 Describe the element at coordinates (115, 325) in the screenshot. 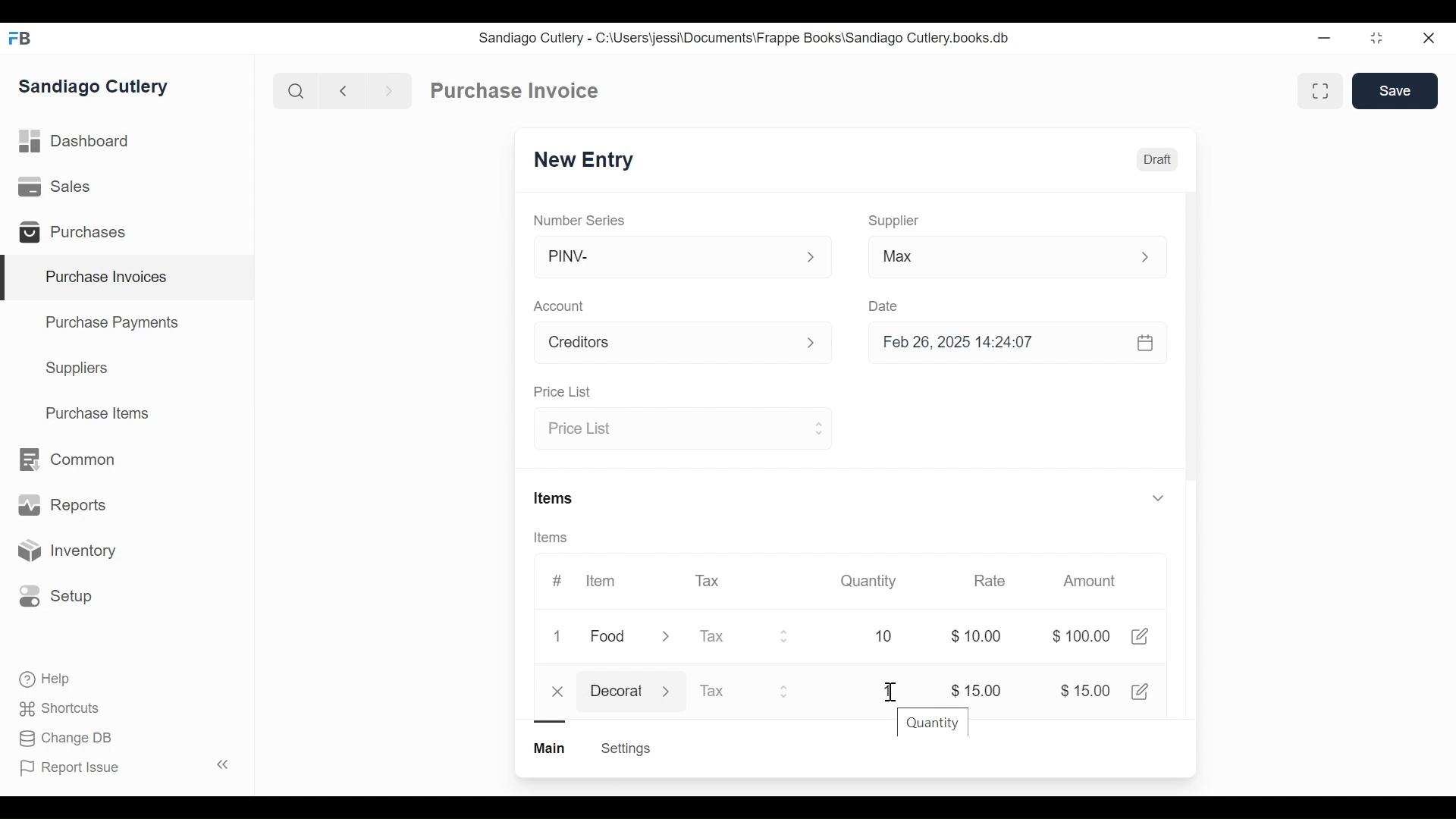

I see `Purchase Payments` at that location.